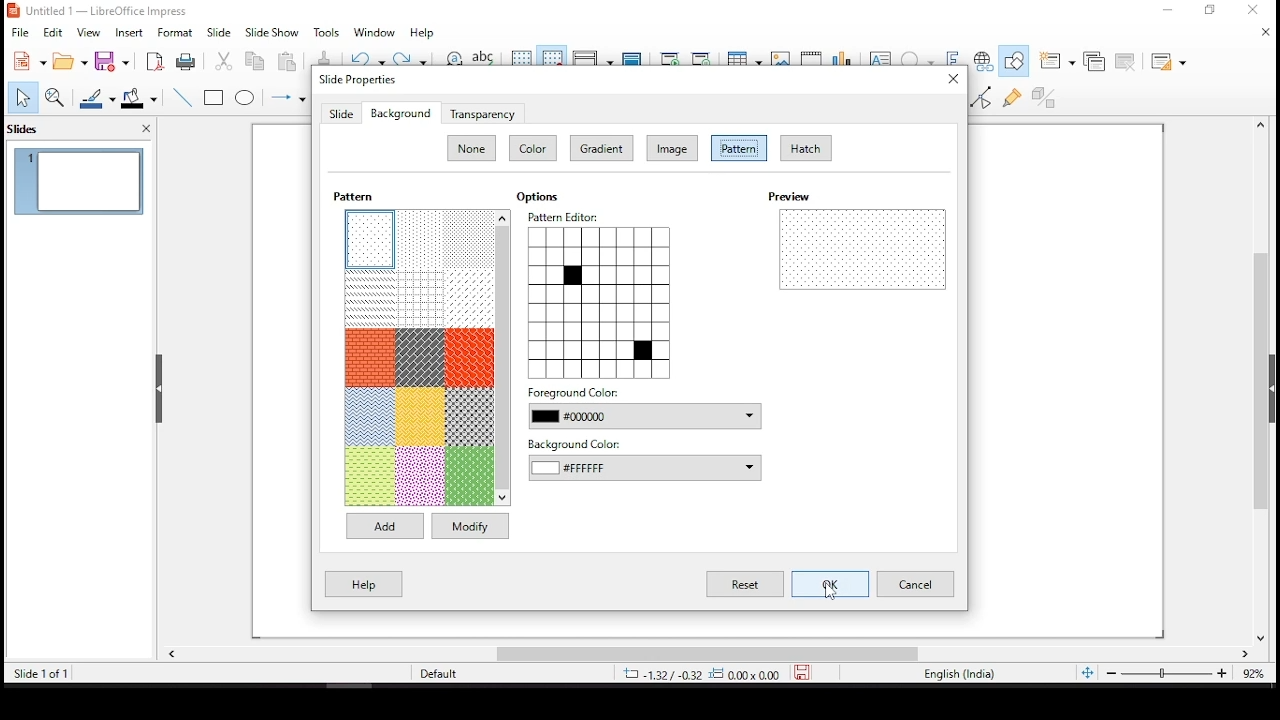 The image size is (1280, 720). Describe the element at coordinates (419, 358) in the screenshot. I see `pattern` at that location.